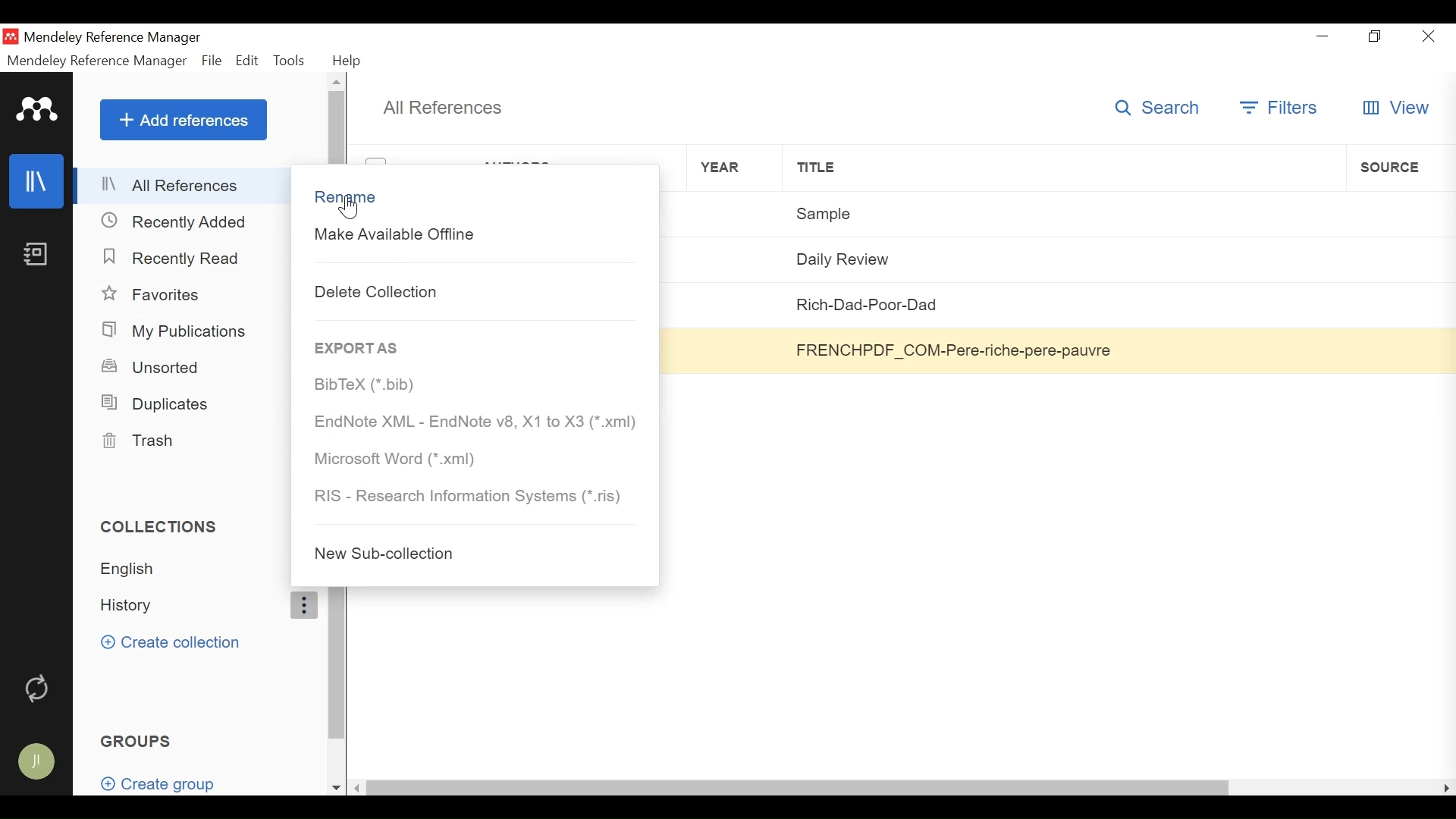 The height and width of the screenshot is (819, 1456). I want to click on Alll References, so click(171, 187).